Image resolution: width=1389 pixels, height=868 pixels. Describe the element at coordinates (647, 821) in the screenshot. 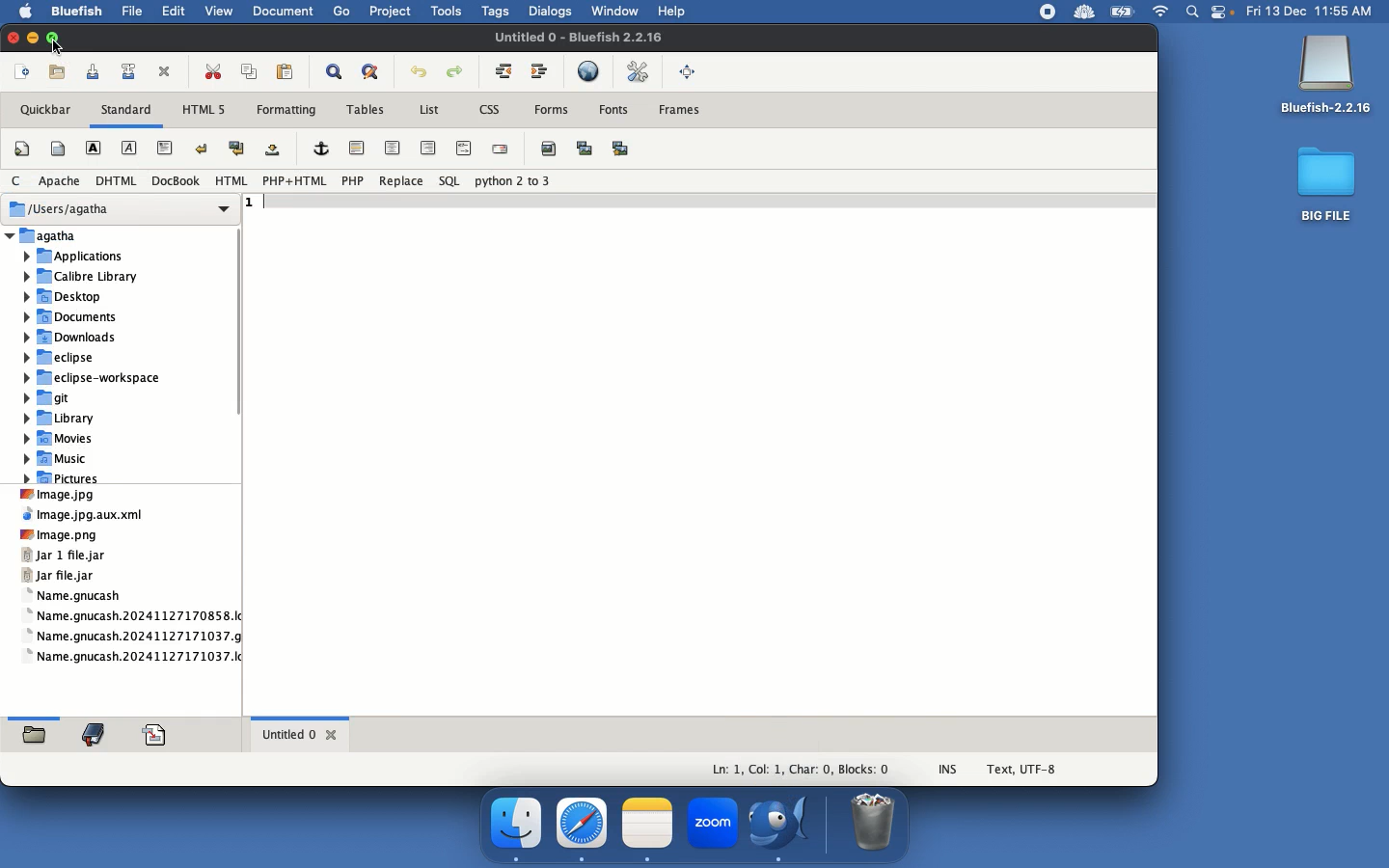

I see `note` at that location.